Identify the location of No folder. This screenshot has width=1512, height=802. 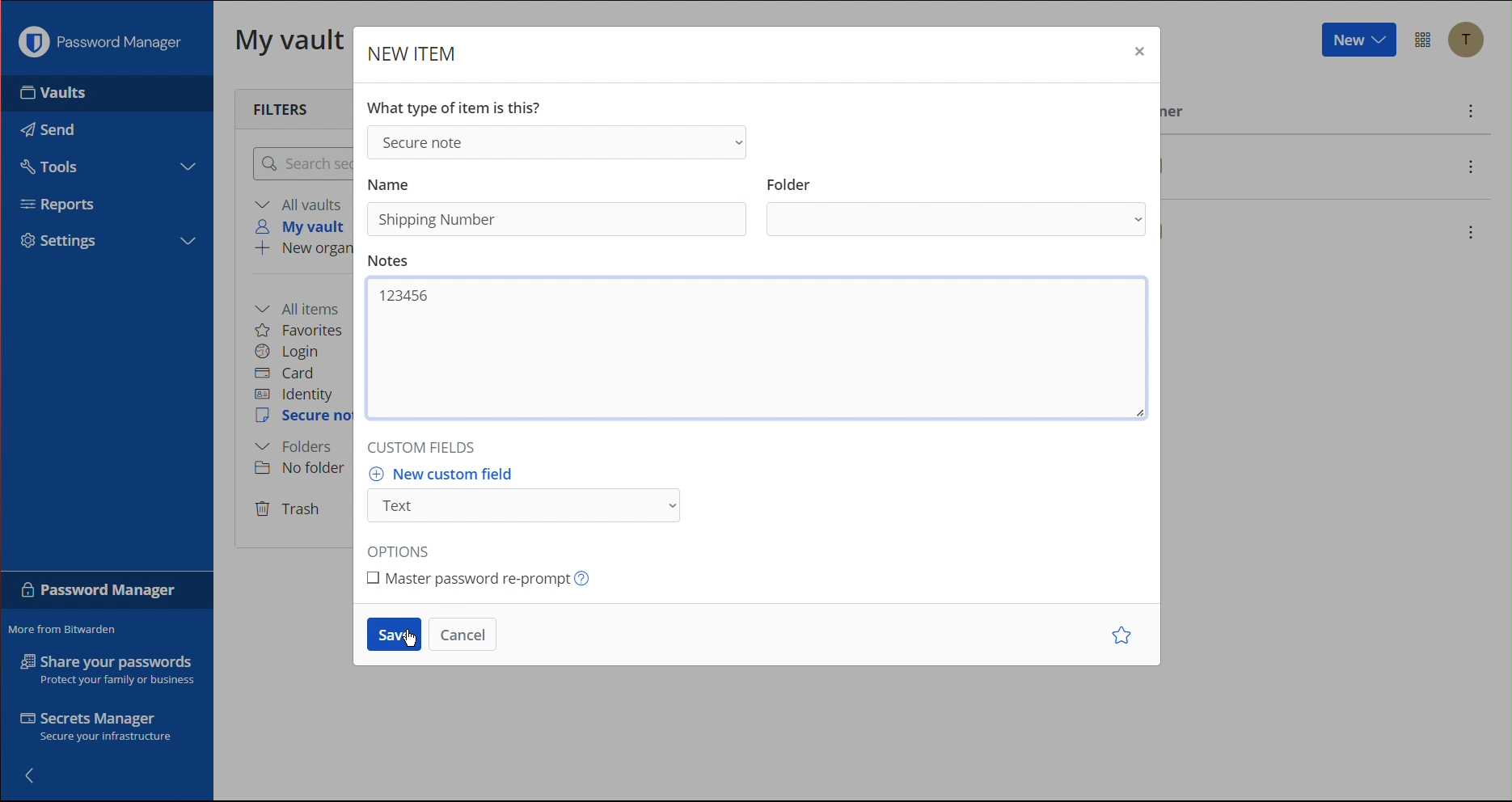
(301, 471).